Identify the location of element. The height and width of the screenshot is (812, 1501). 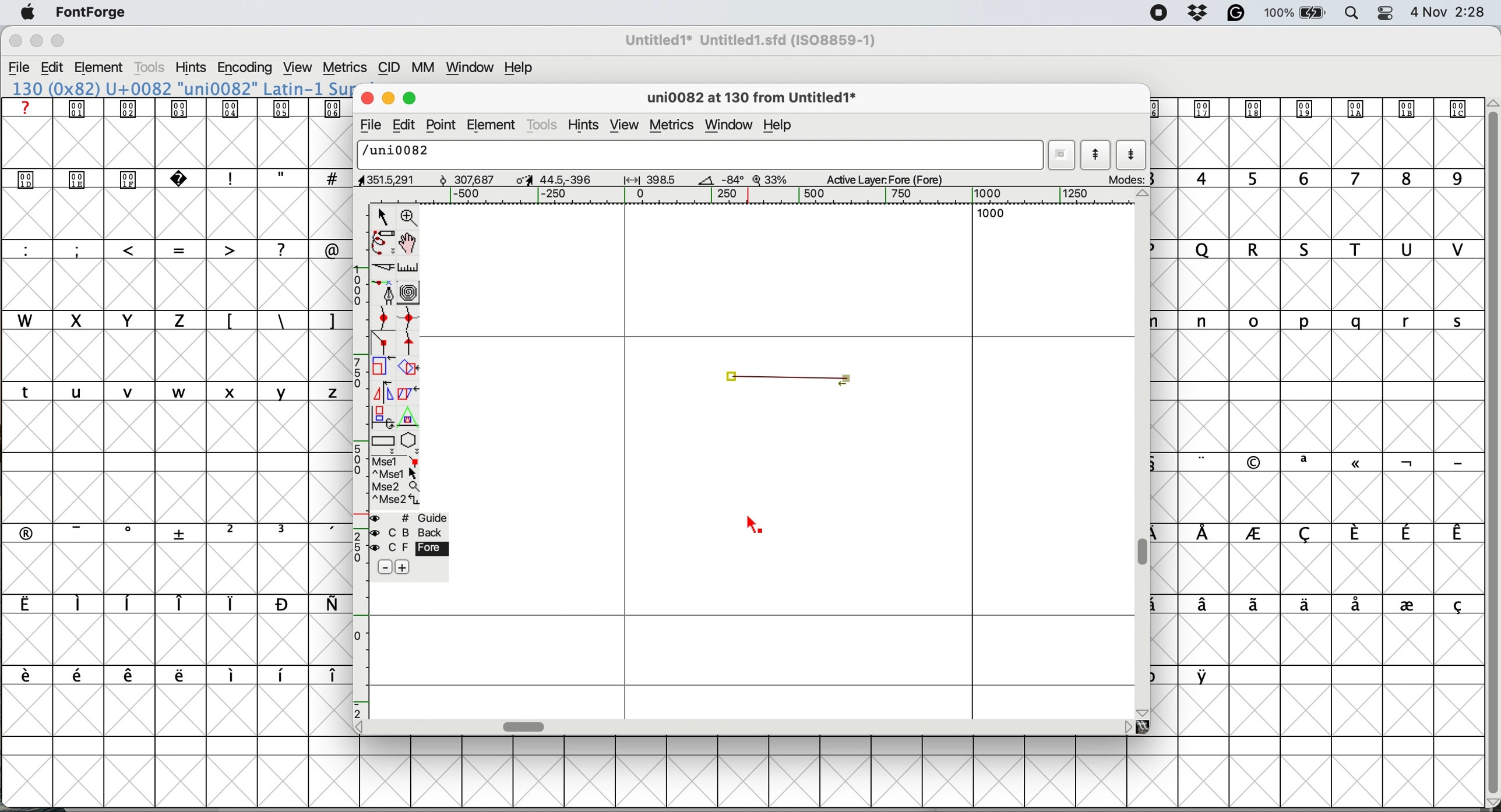
(492, 124).